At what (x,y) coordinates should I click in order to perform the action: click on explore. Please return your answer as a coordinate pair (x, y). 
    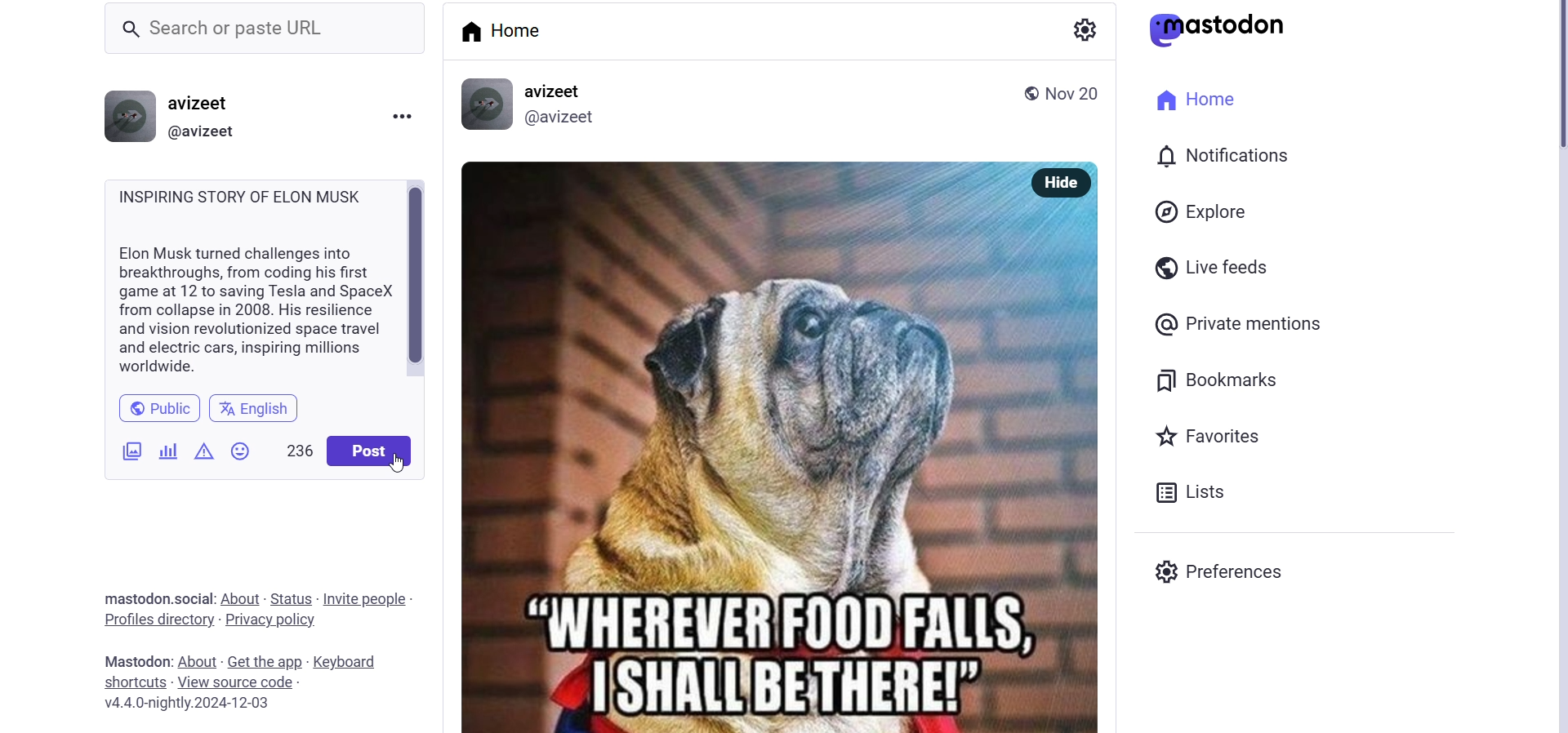
    Looking at the image, I should click on (1200, 212).